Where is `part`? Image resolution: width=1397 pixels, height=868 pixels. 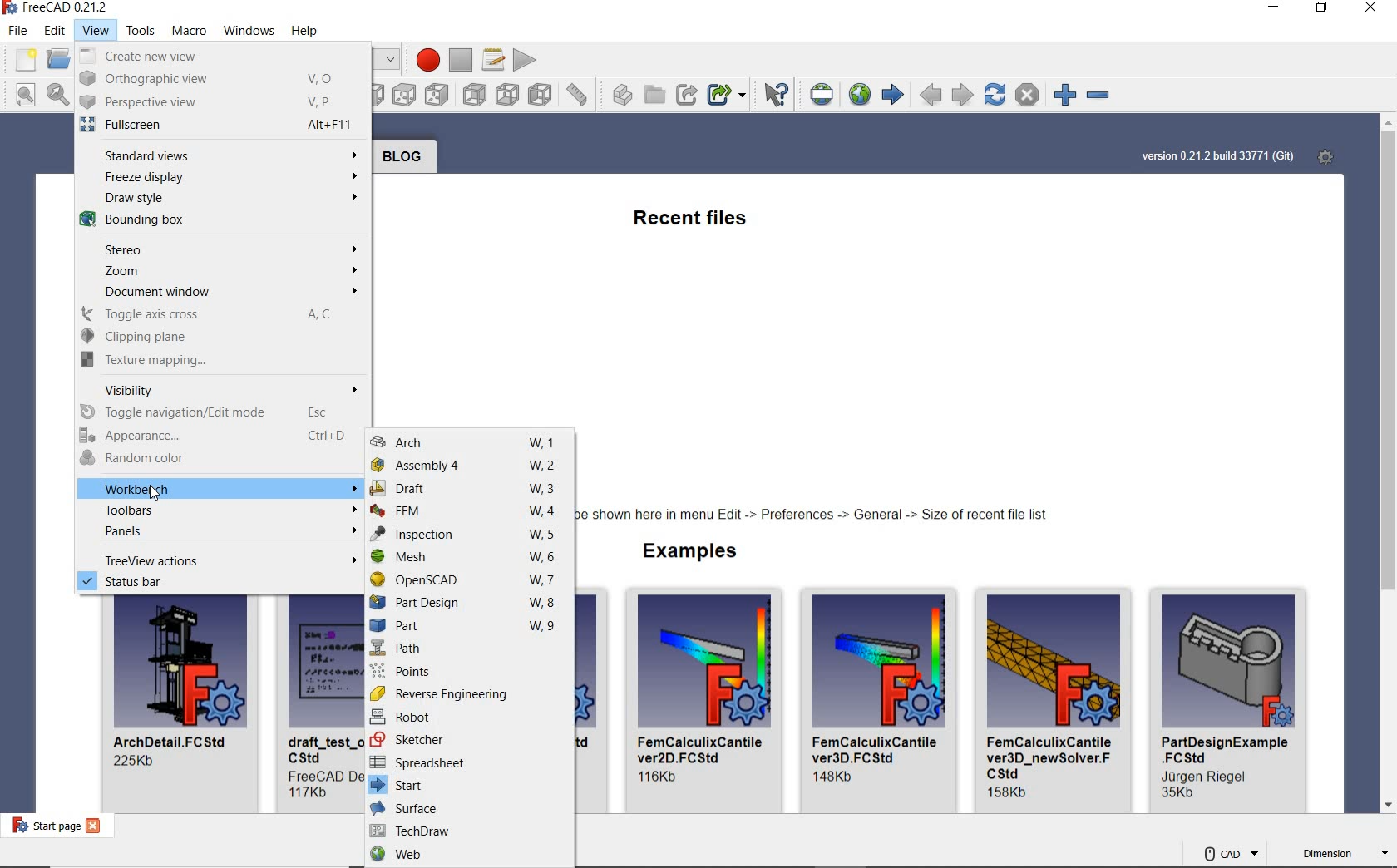
part is located at coordinates (468, 627).